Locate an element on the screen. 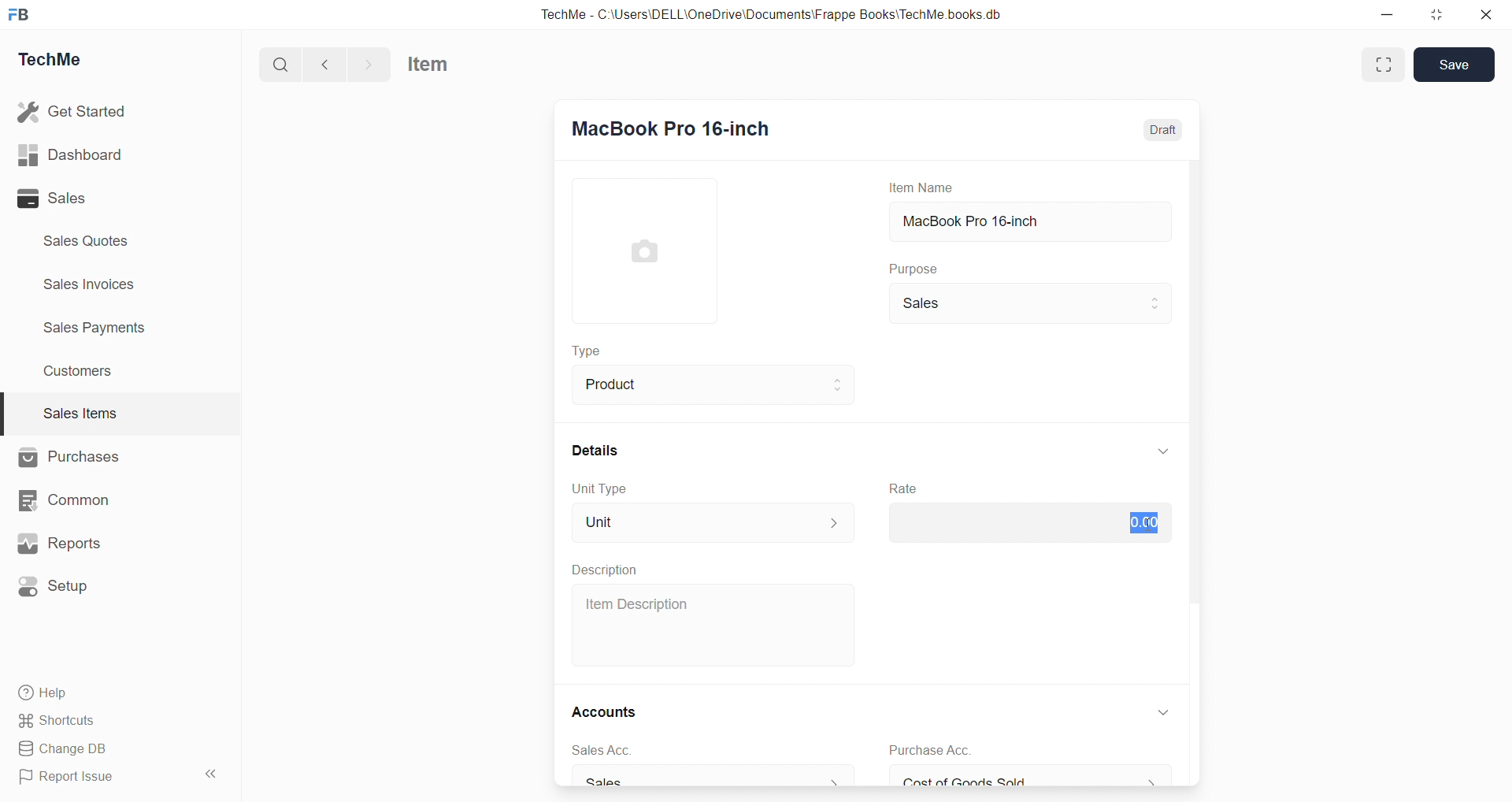  down is located at coordinates (1165, 713).